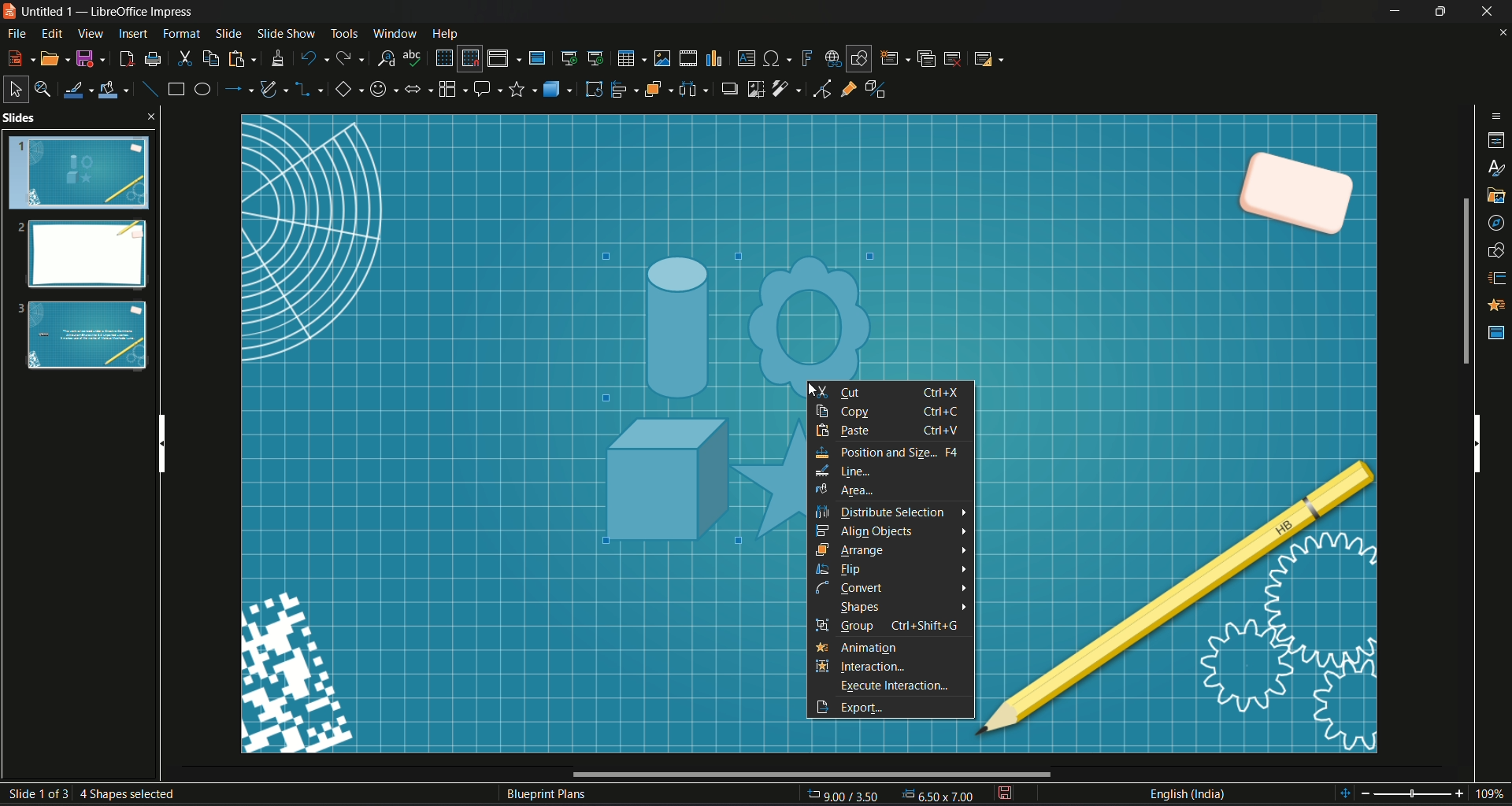 This screenshot has width=1512, height=806. Describe the element at coordinates (124, 59) in the screenshot. I see `export` at that location.